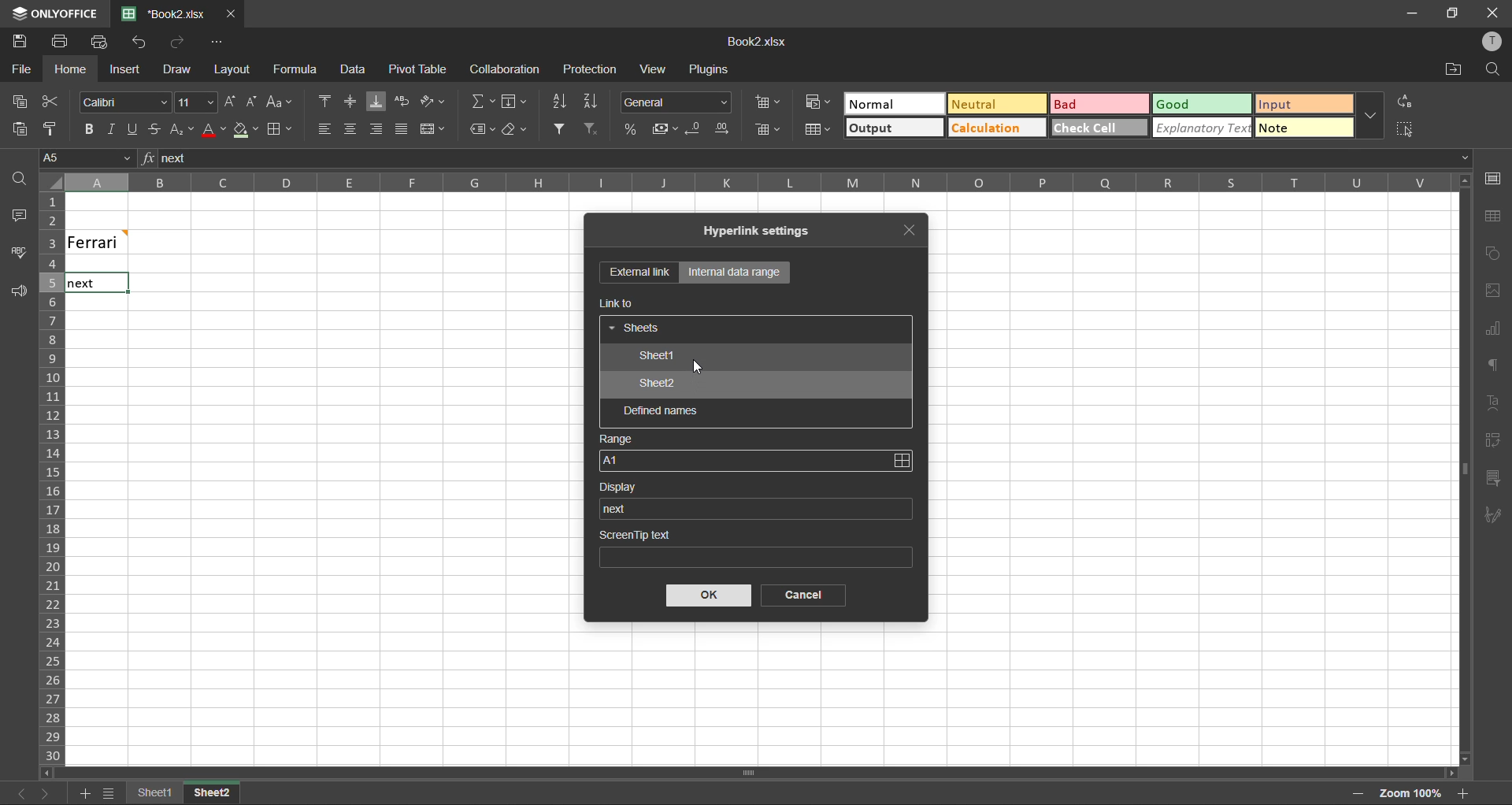  Describe the element at coordinates (1492, 216) in the screenshot. I see `table` at that location.